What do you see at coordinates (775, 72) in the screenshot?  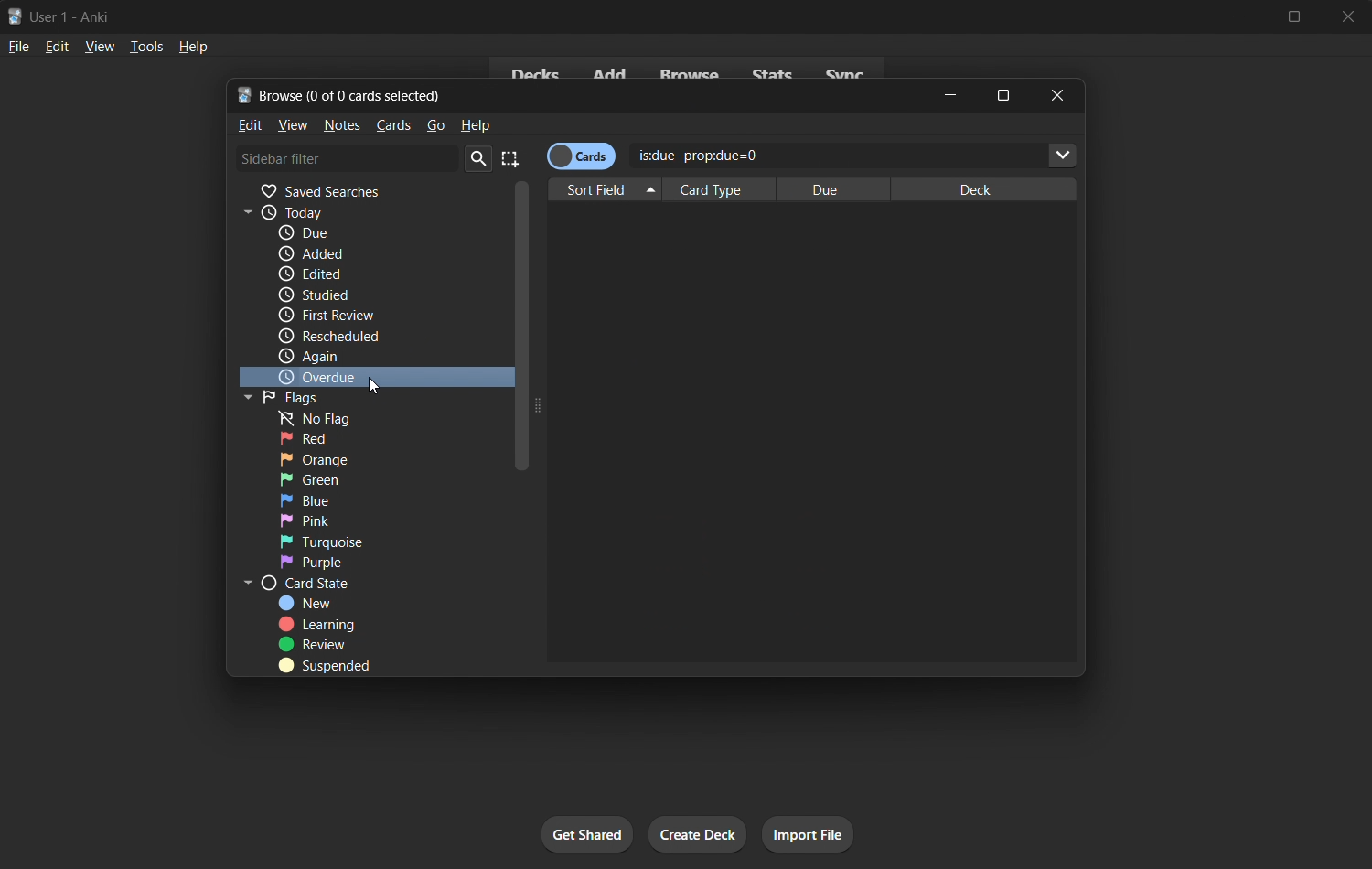 I see `stats` at bounding box center [775, 72].